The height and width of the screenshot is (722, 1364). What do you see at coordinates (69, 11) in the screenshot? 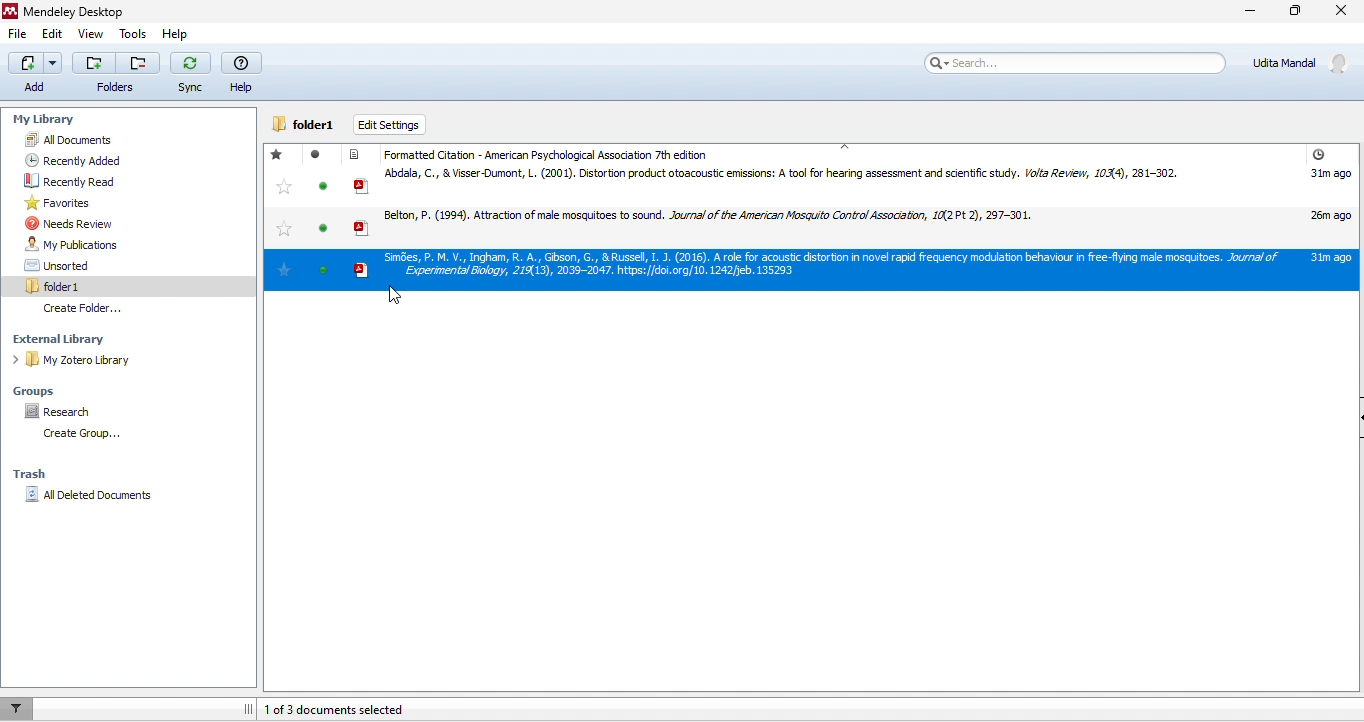
I see `title` at bounding box center [69, 11].